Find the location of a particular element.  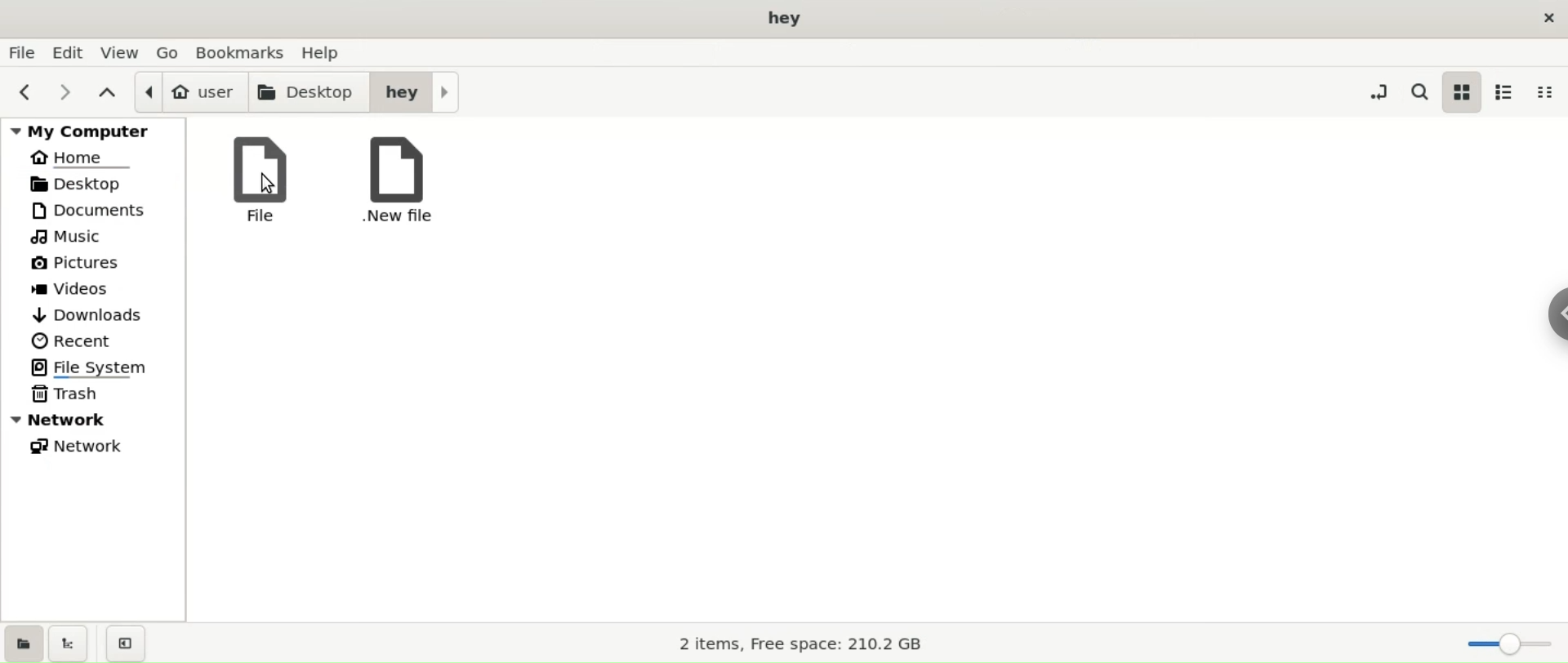

help is located at coordinates (326, 51).